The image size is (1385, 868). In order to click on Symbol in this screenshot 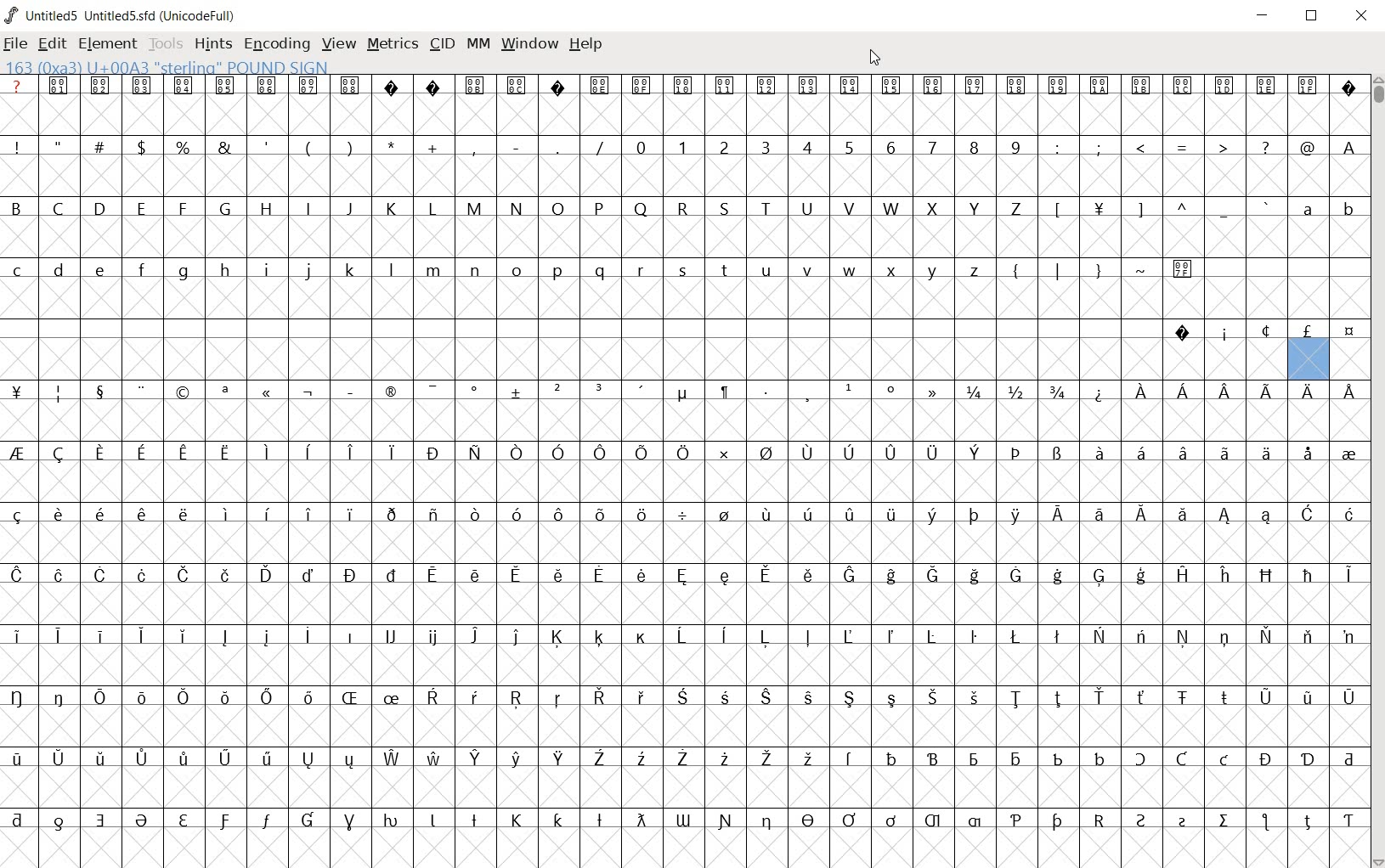, I will do `click(476, 635)`.